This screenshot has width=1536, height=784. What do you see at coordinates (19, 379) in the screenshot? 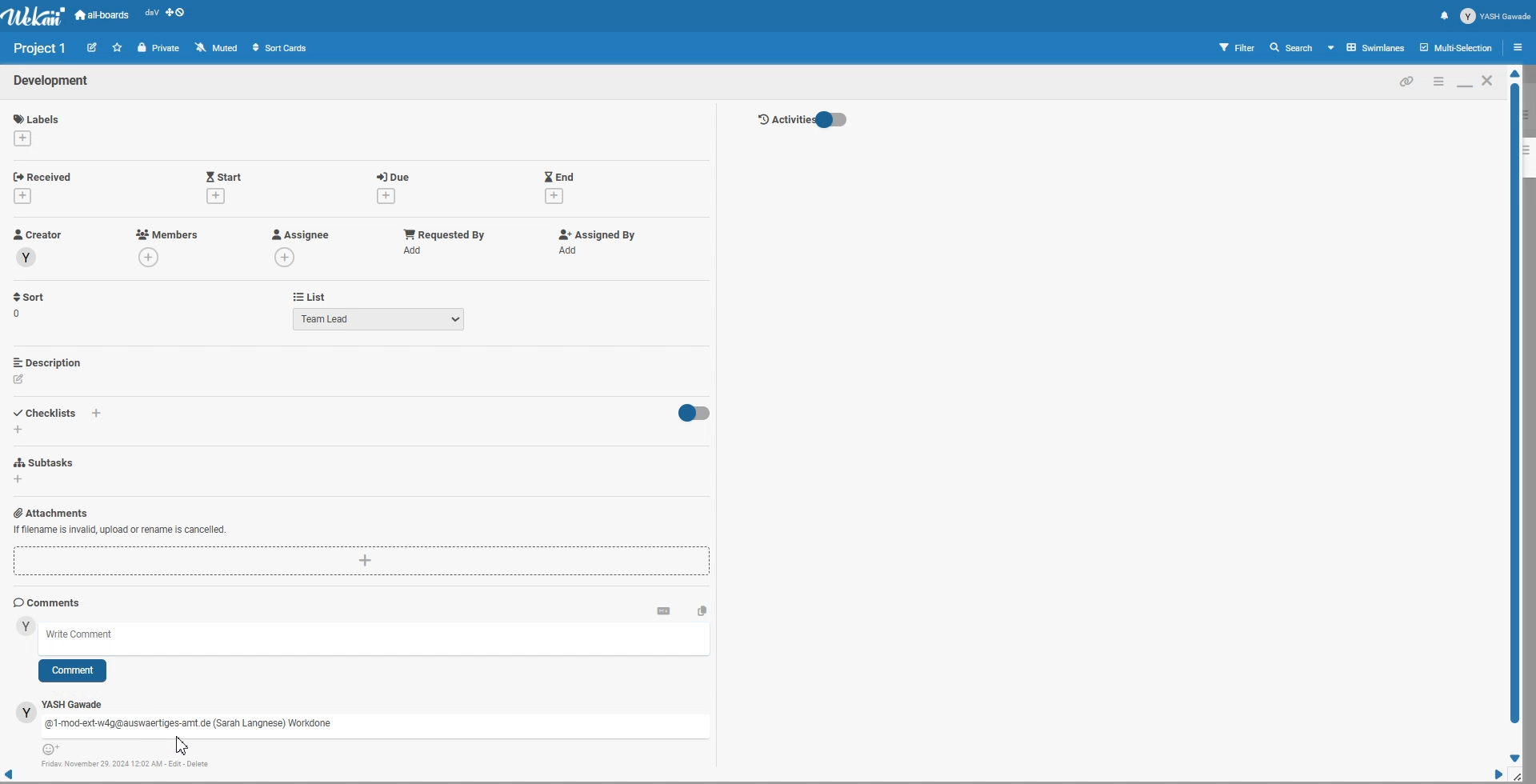
I see `edit` at bounding box center [19, 379].